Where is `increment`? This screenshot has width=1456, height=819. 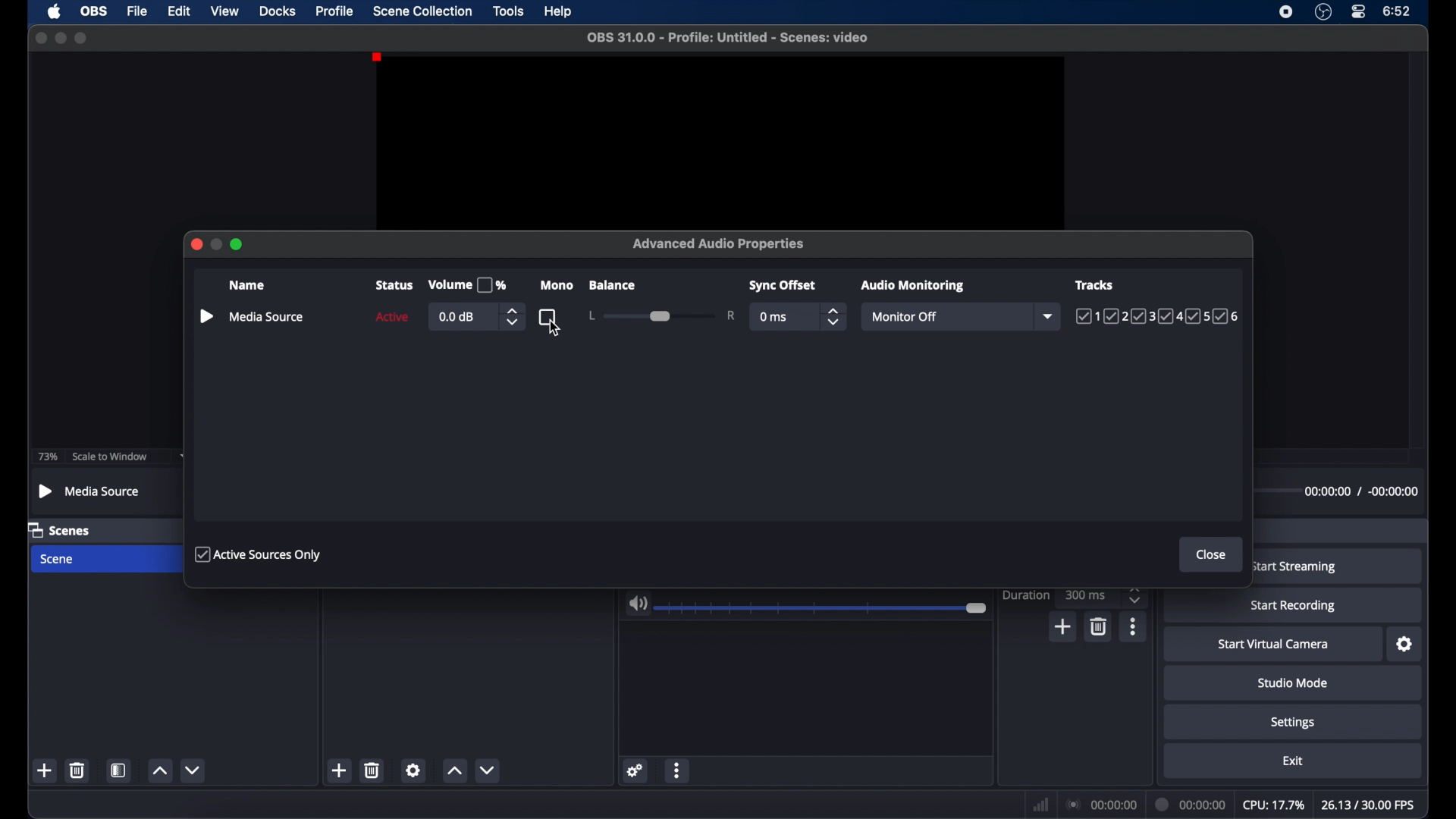
increment is located at coordinates (158, 770).